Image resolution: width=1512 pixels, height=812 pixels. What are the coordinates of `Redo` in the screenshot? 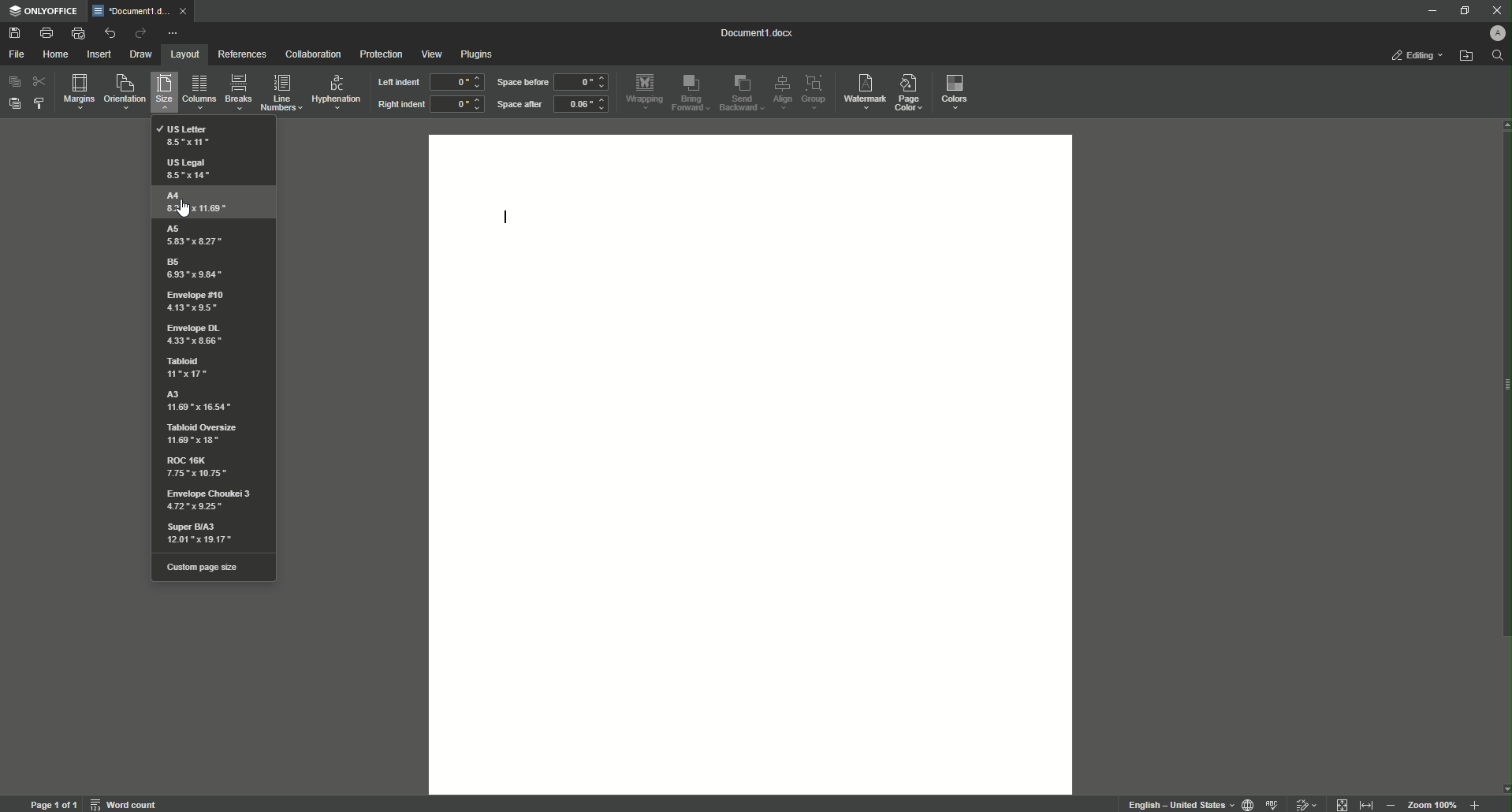 It's located at (137, 32).